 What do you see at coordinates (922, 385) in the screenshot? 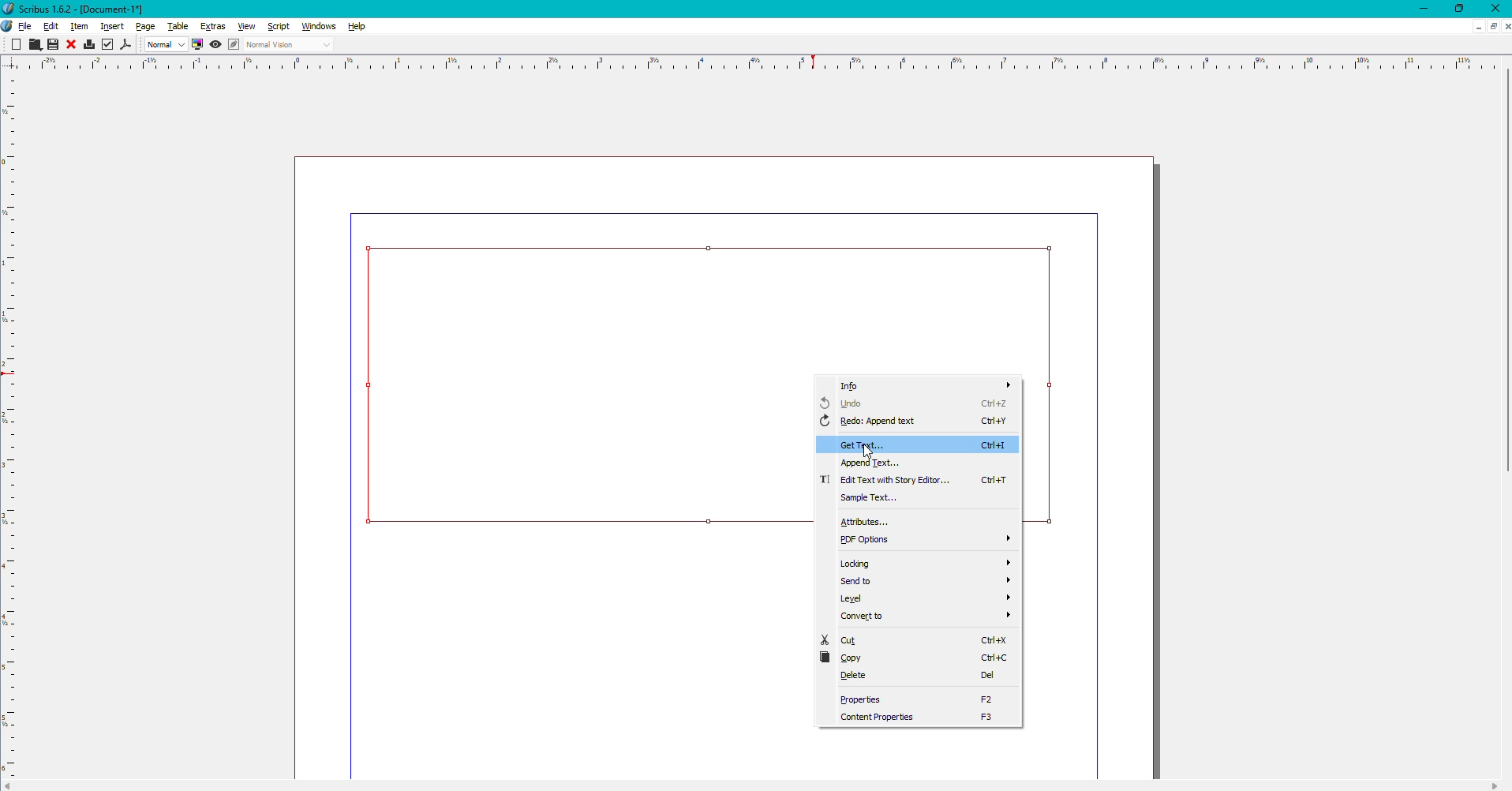
I see `Info` at bounding box center [922, 385].